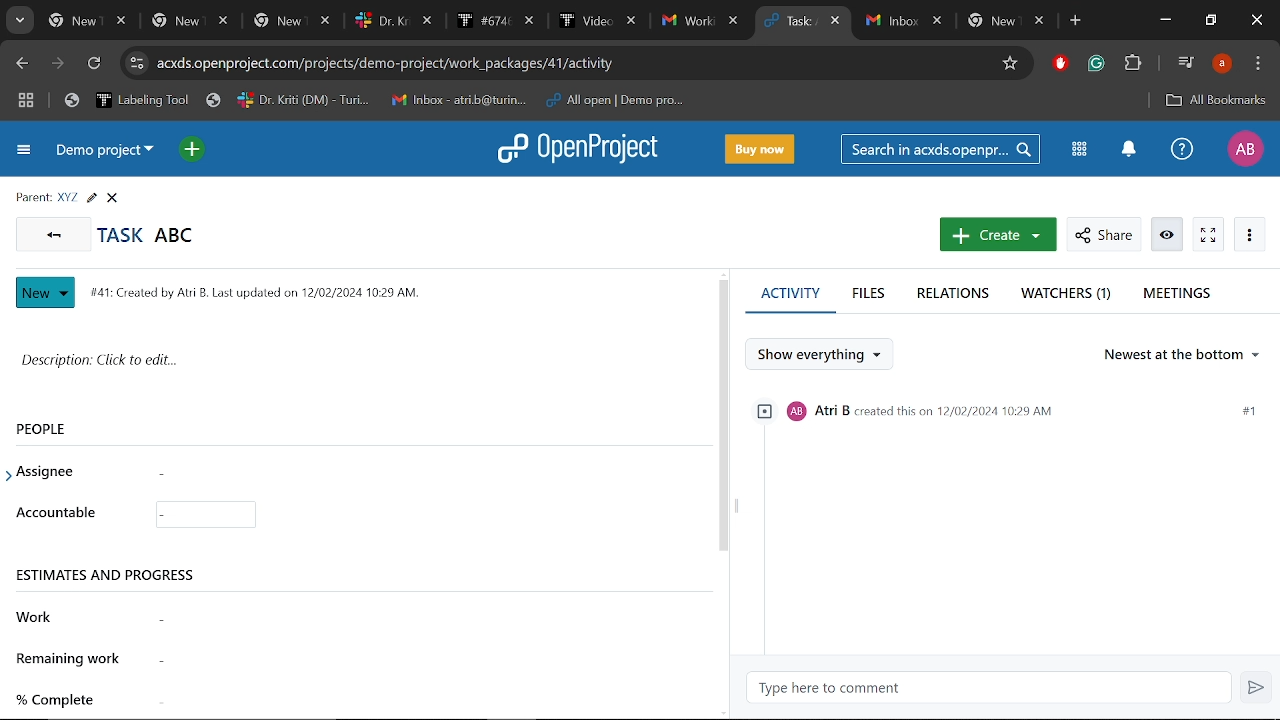 The image size is (1280, 720). I want to click on Customize and control chrome, so click(1258, 63).